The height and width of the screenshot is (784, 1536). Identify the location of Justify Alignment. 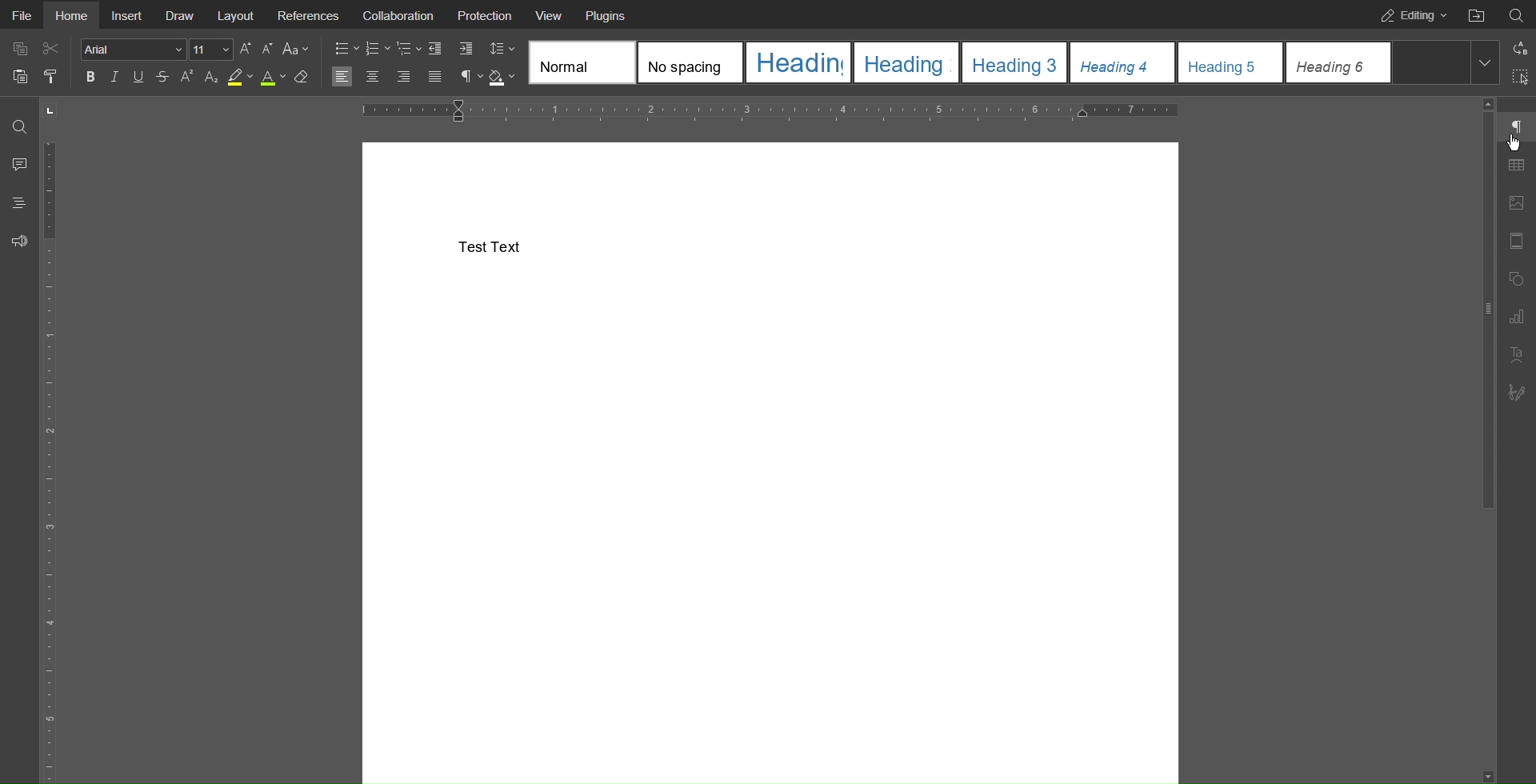
(434, 78).